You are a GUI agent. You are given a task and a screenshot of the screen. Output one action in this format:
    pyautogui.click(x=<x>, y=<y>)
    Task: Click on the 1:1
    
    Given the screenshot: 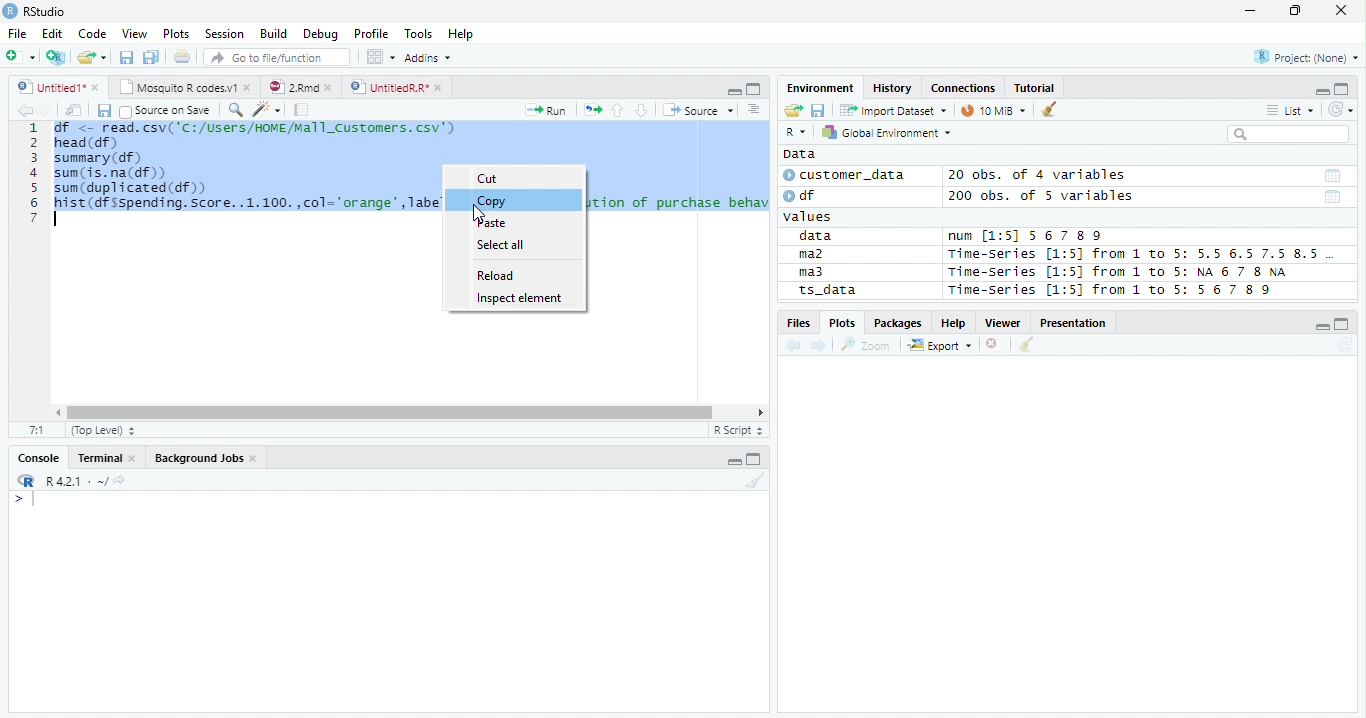 What is the action you would take?
    pyautogui.click(x=37, y=430)
    